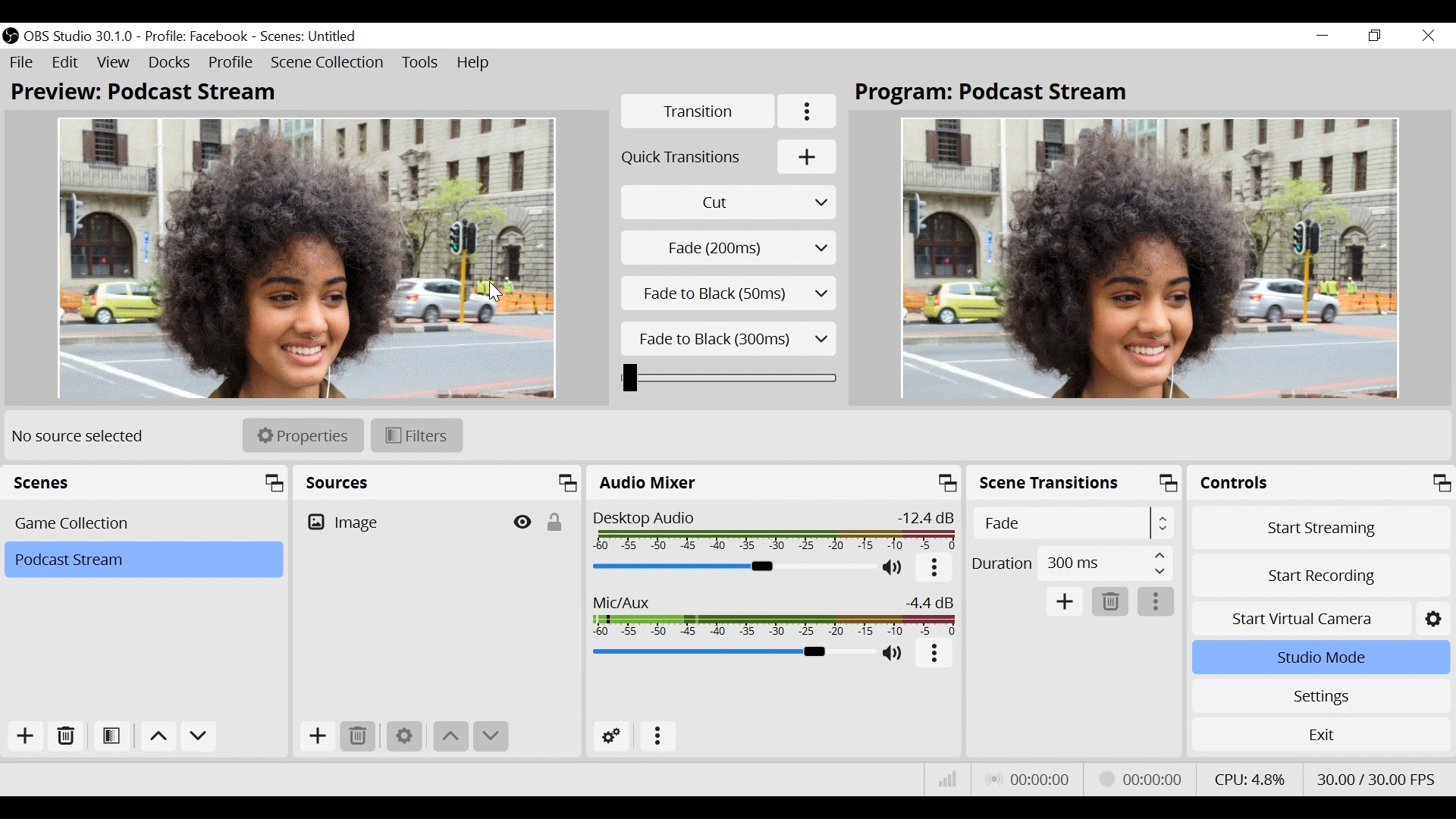 This screenshot has width=1456, height=819. I want to click on Stream Status, so click(1138, 779).